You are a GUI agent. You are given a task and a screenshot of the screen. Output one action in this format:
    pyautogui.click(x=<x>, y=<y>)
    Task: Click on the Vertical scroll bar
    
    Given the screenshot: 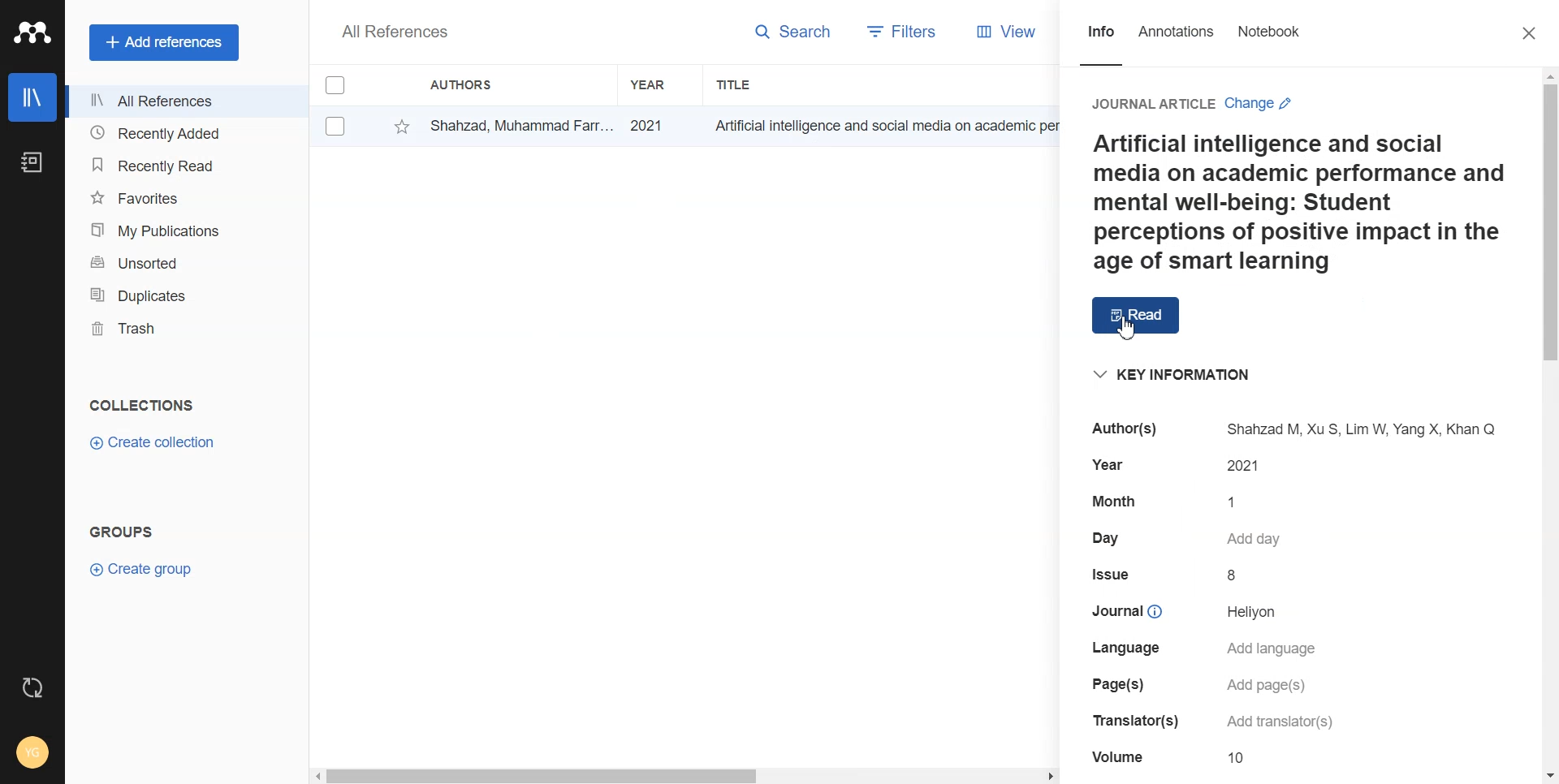 What is the action you would take?
    pyautogui.click(x=1548, y=426)
    